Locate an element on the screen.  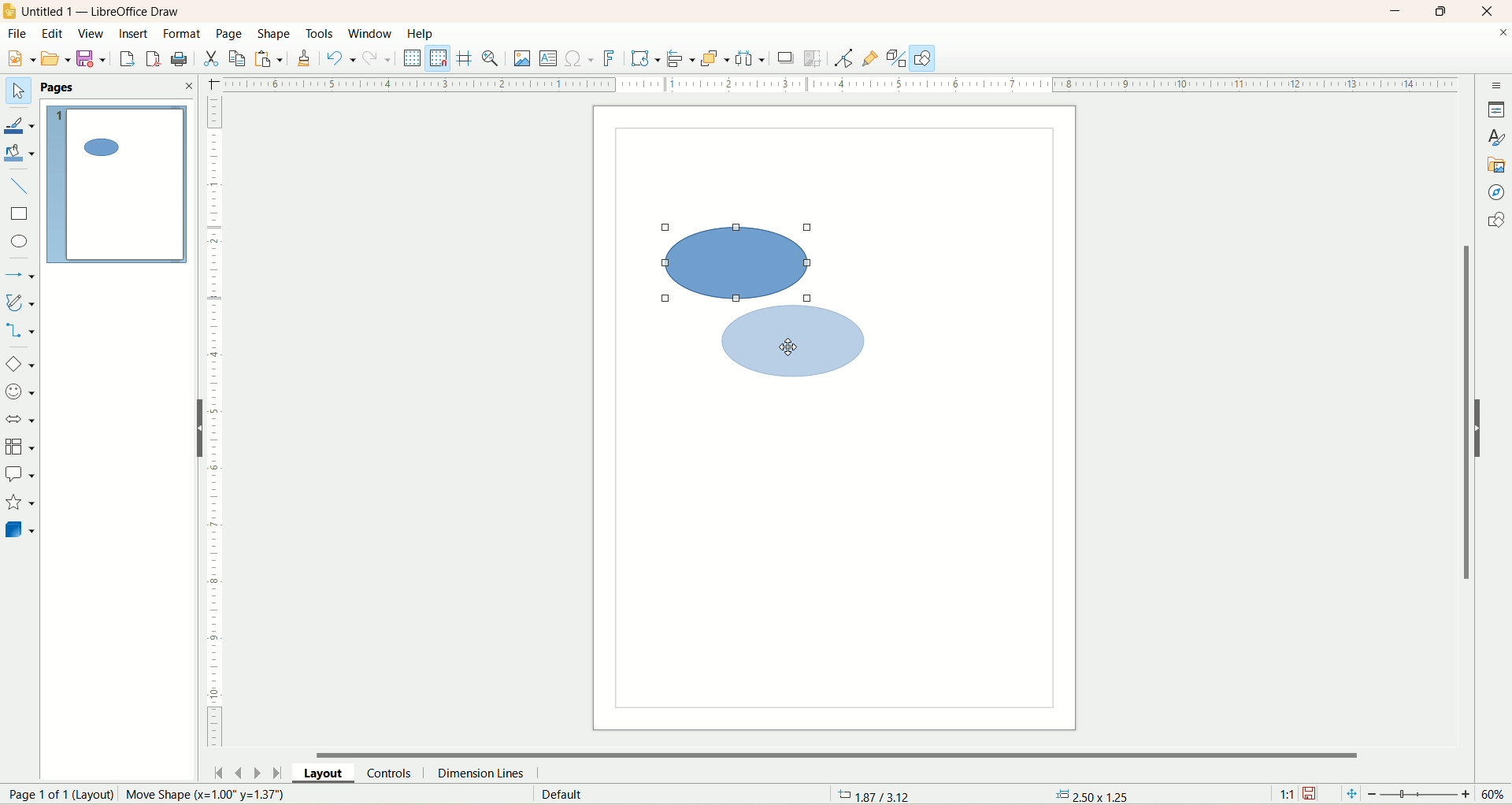
fontwork text is located at coordinates (609, 59).